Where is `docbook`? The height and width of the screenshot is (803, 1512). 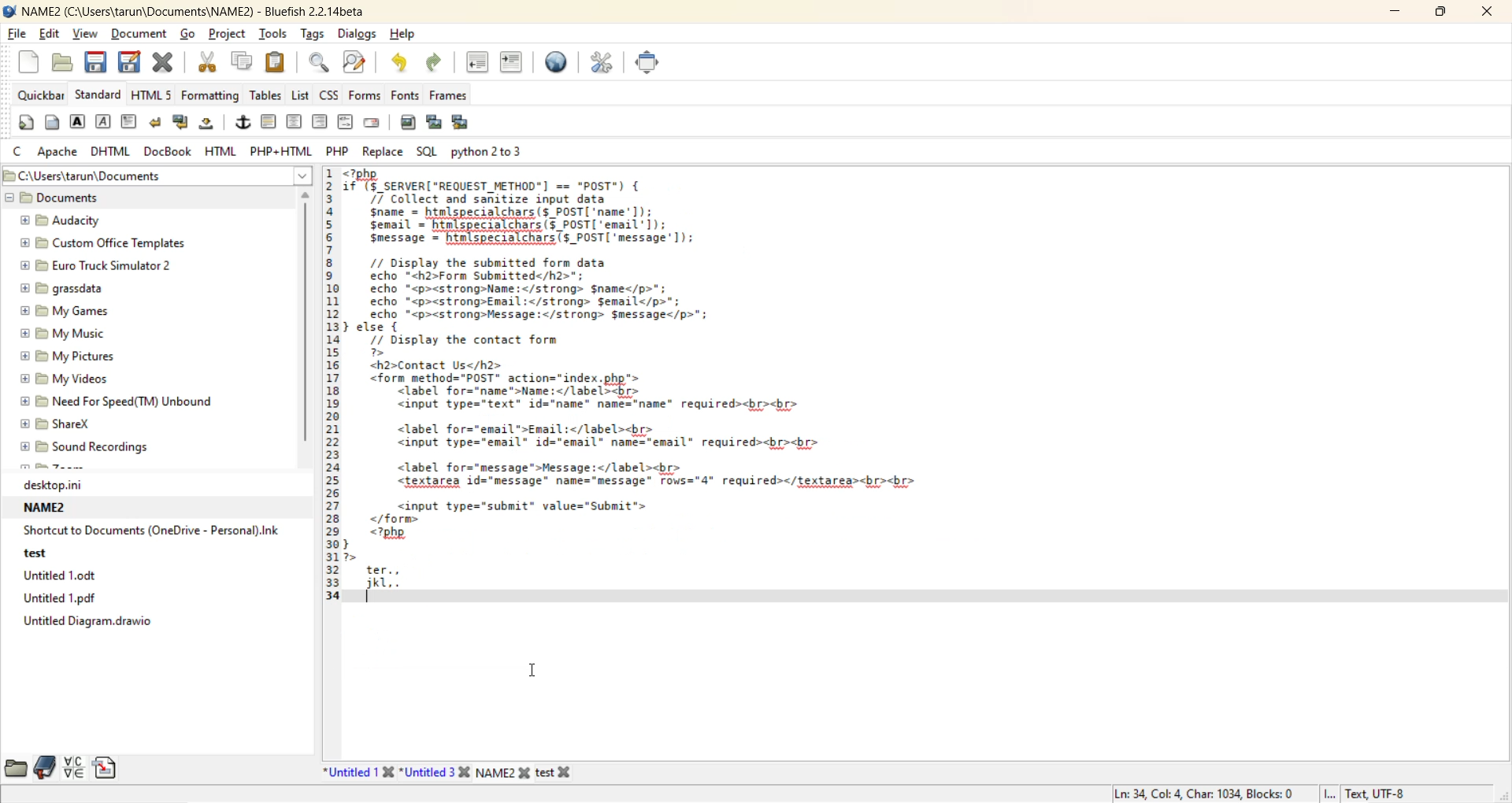
docbook is located at coordinates (171, 151).